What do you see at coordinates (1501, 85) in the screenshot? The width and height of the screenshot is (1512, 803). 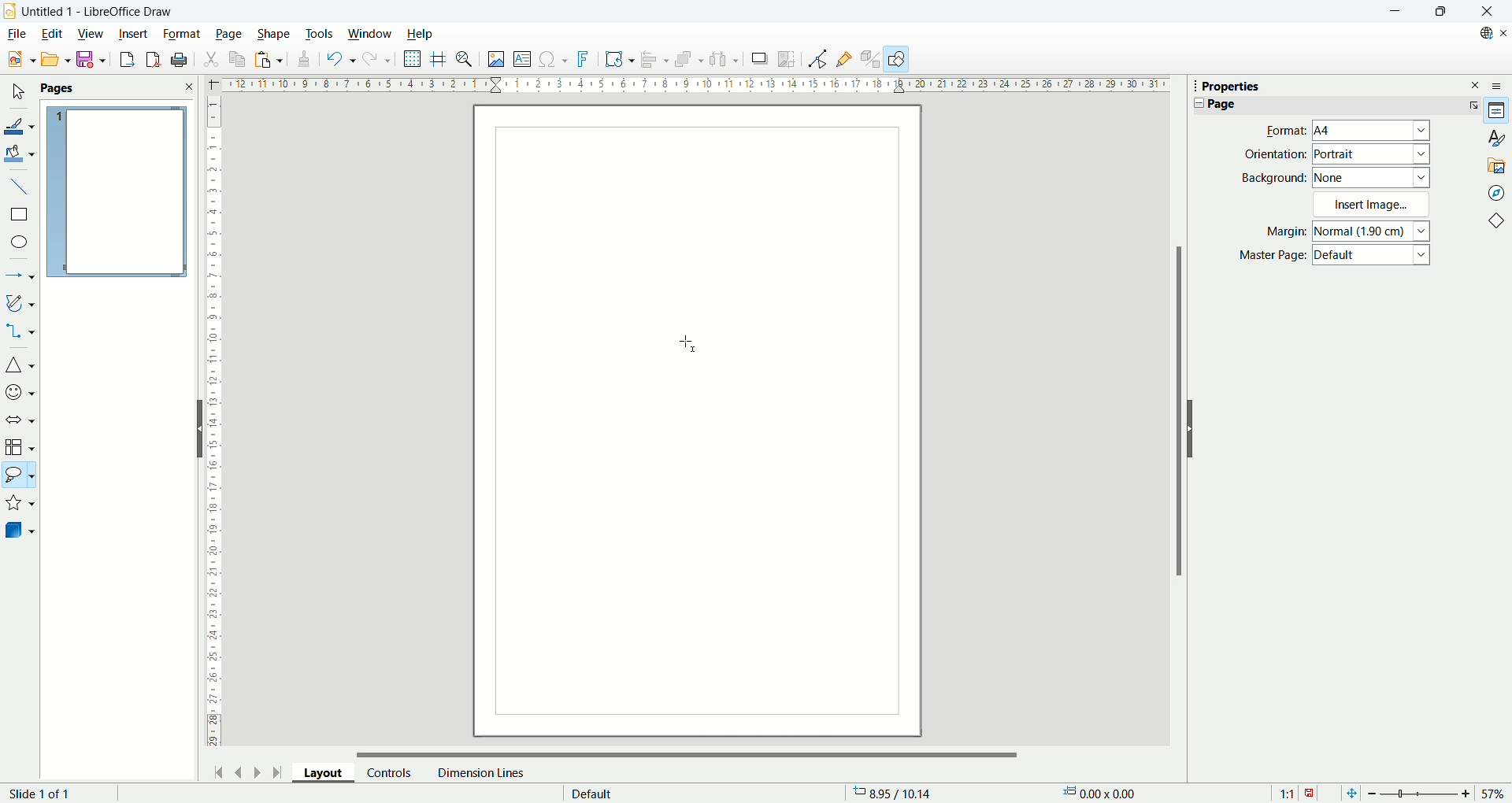 I see `Sidebar settings` at bounding box center [1501, 85].